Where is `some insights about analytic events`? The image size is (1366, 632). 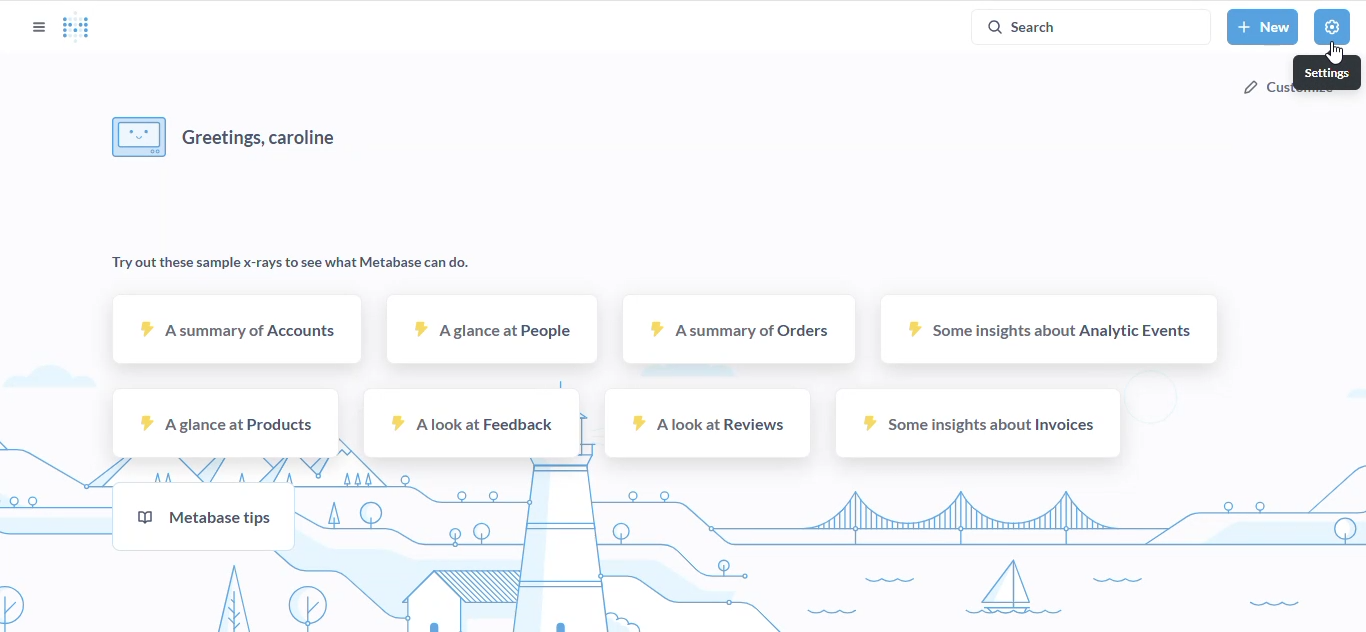
some insights about analytic events is located at coordinates (1049, 330).